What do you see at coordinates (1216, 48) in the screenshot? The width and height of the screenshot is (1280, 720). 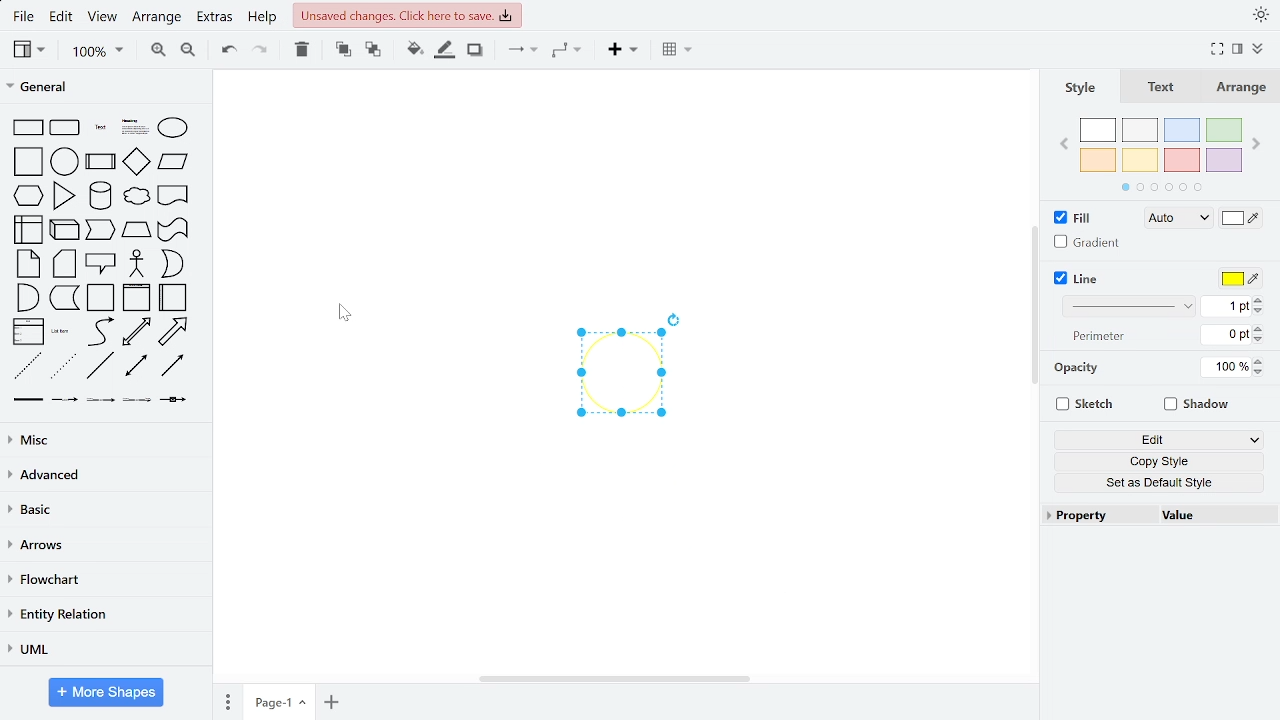 I see `full screen` at bounding box center [1216, 48].